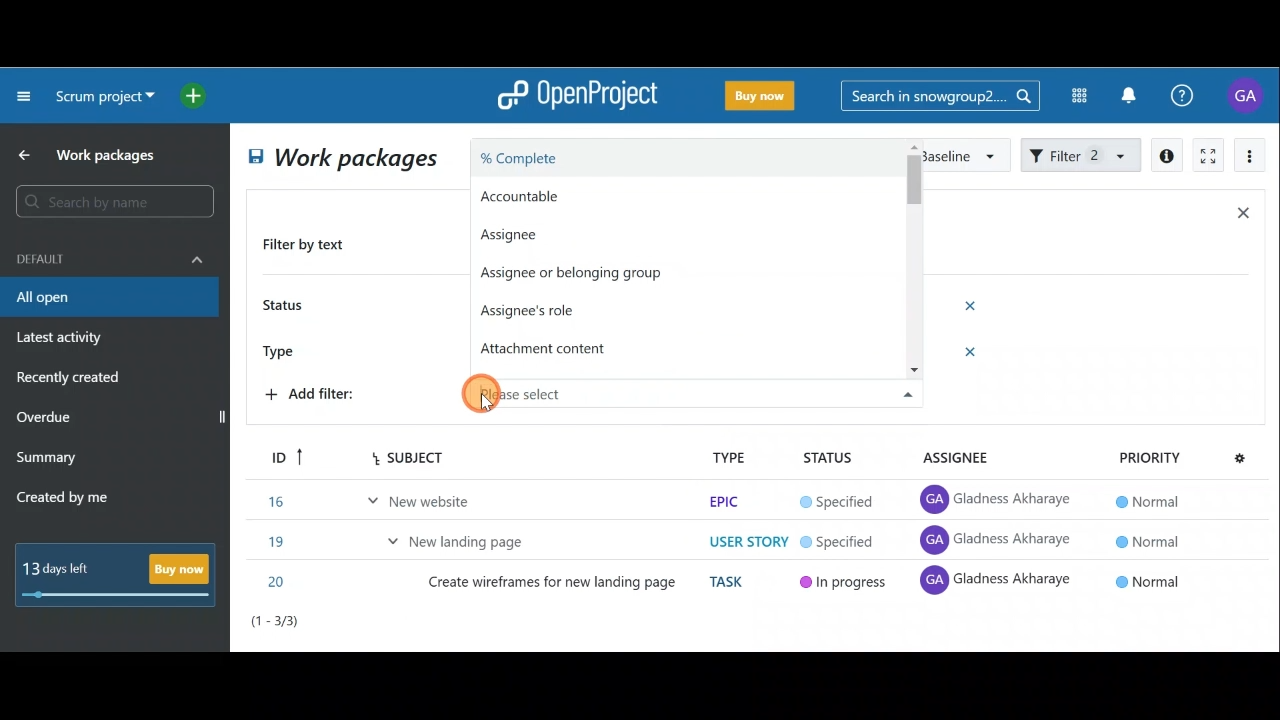 This screenshot has height=720, width=1280. I want to click on Default, so click(110, 257).